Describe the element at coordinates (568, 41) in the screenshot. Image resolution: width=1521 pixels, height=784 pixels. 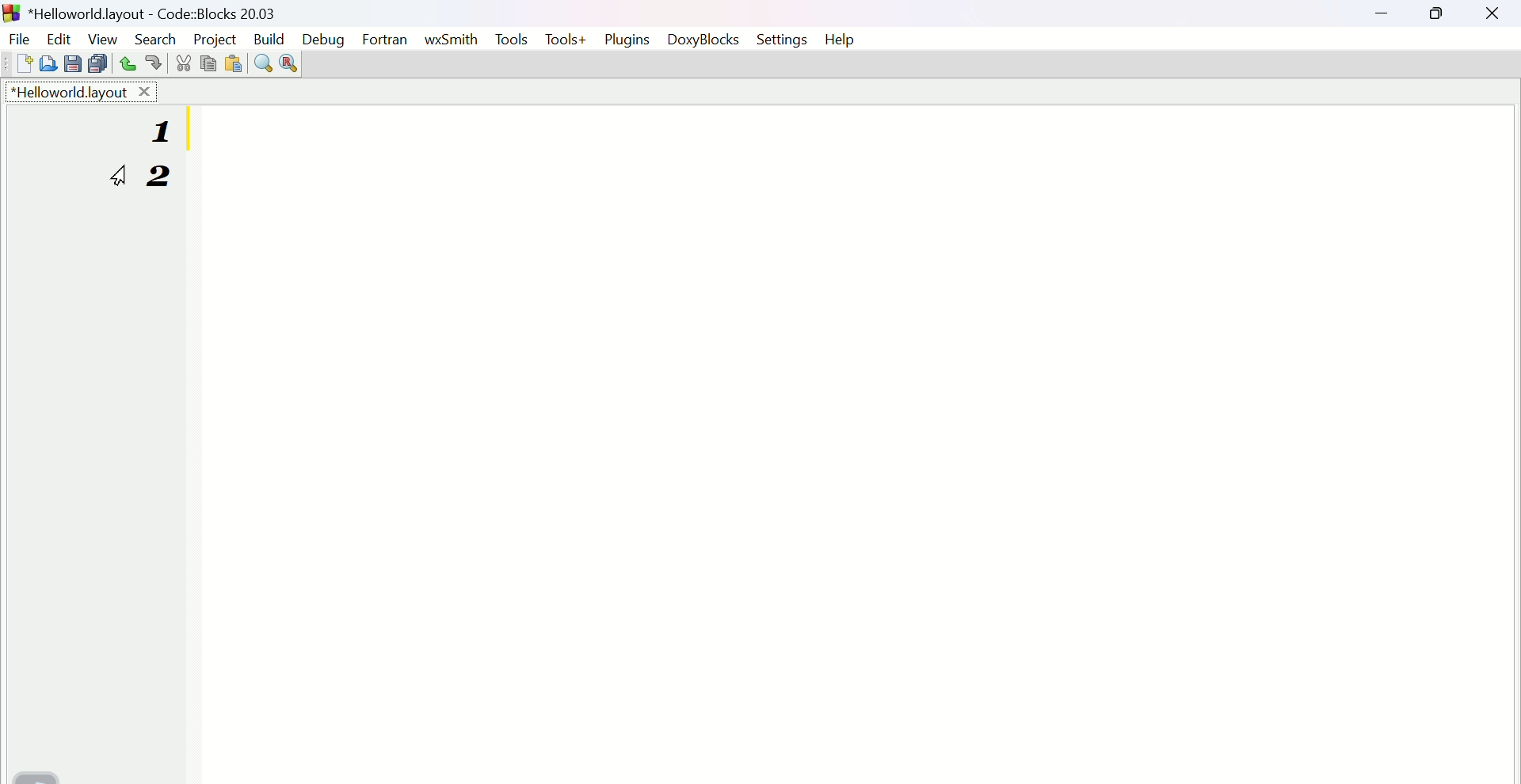
I see `Tools plus` at that location.